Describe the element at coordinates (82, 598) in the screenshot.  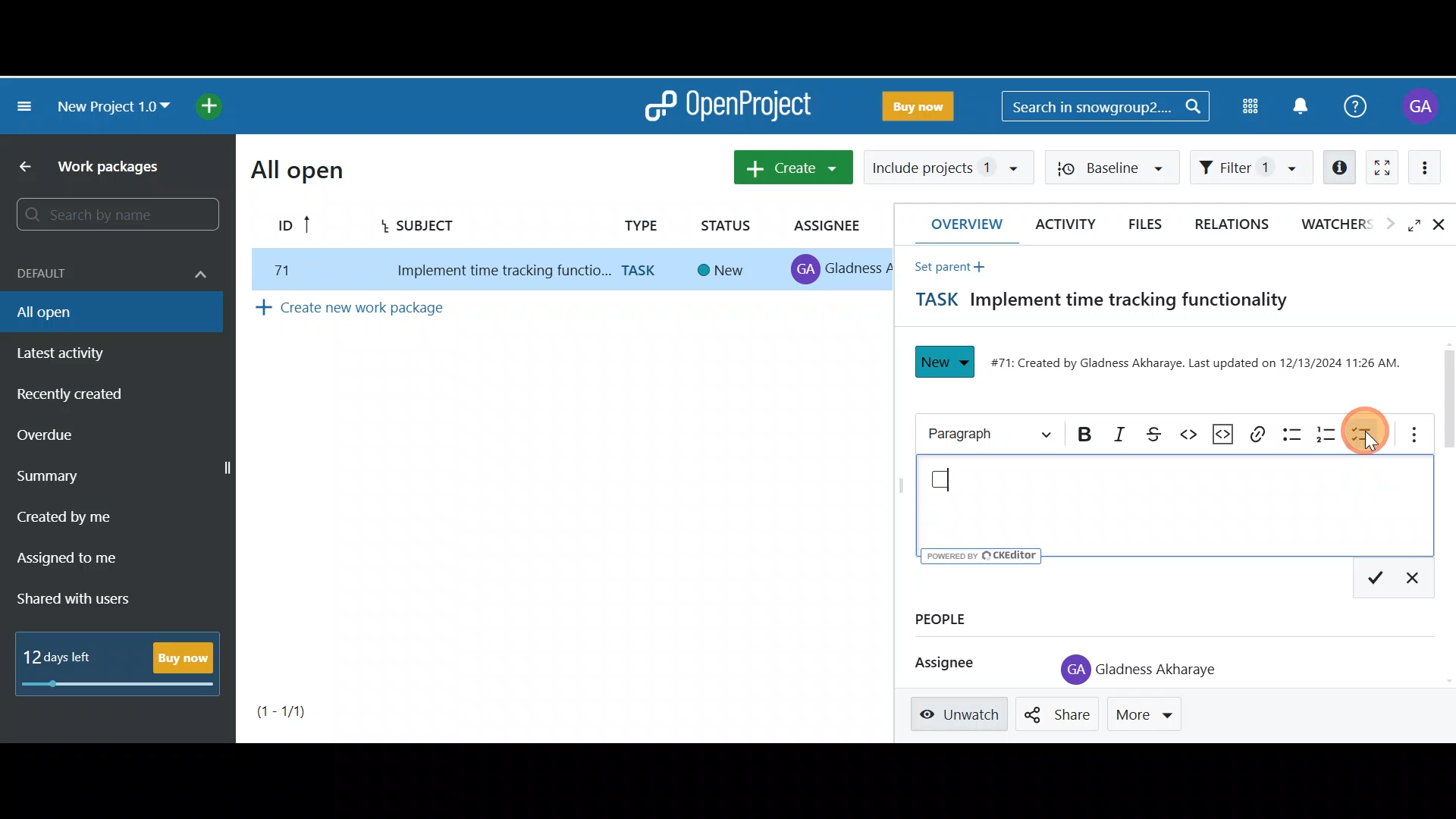
I see `Shared with users` at that location.